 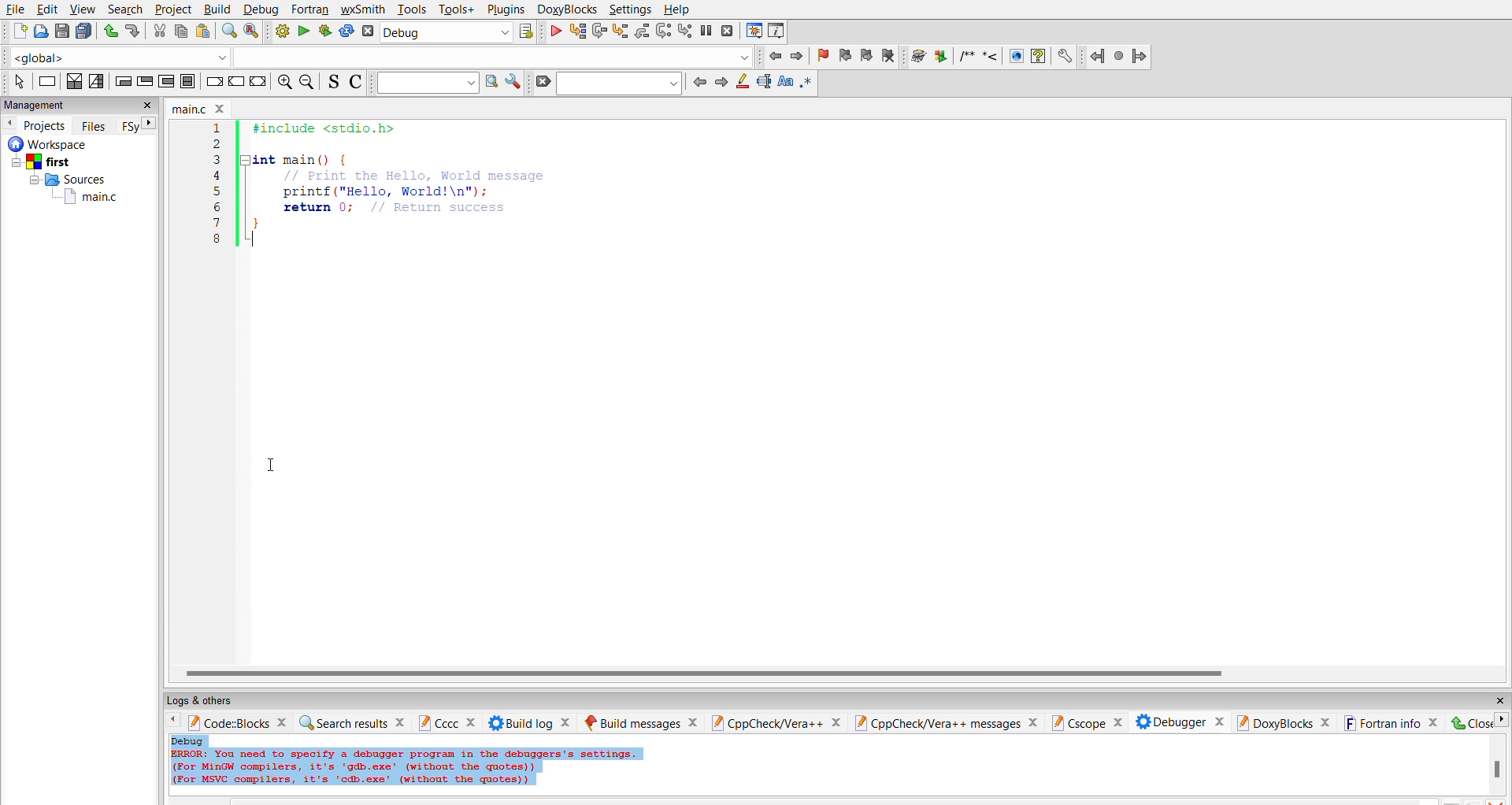 I want to click on selection, so click(x=98, y=83).